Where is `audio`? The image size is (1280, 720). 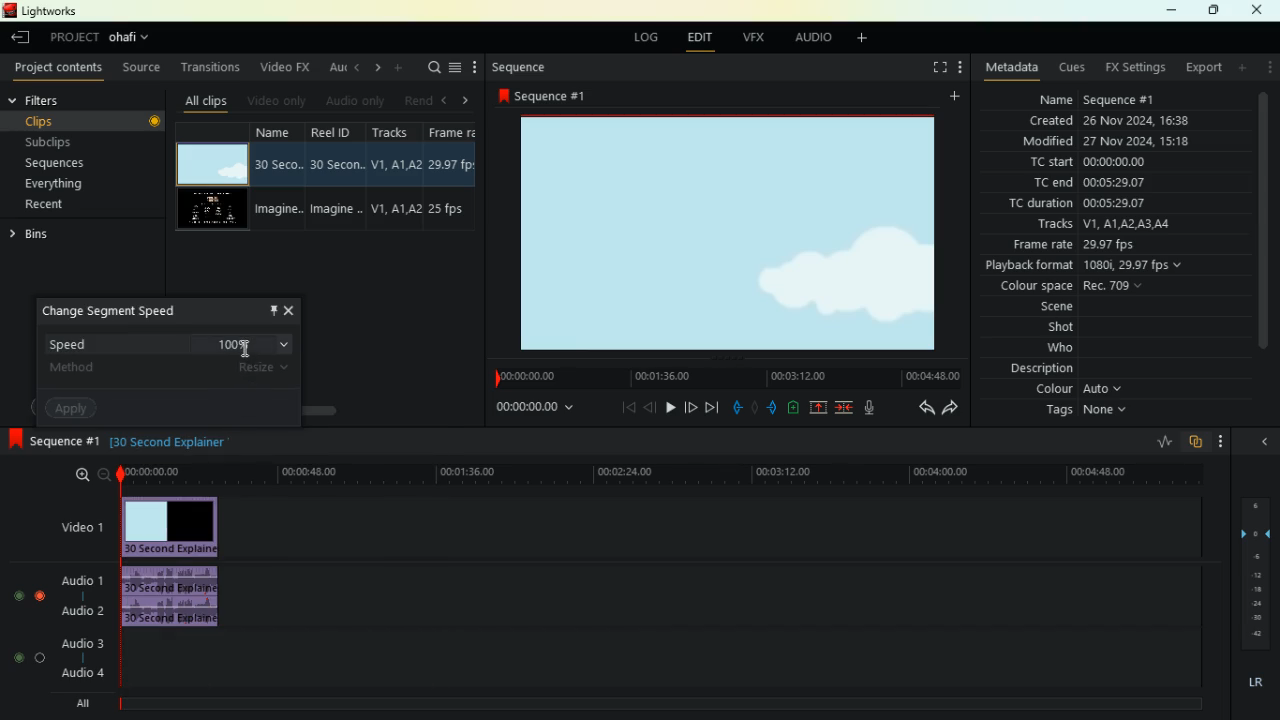
audio is located at coordinates (182, 597).